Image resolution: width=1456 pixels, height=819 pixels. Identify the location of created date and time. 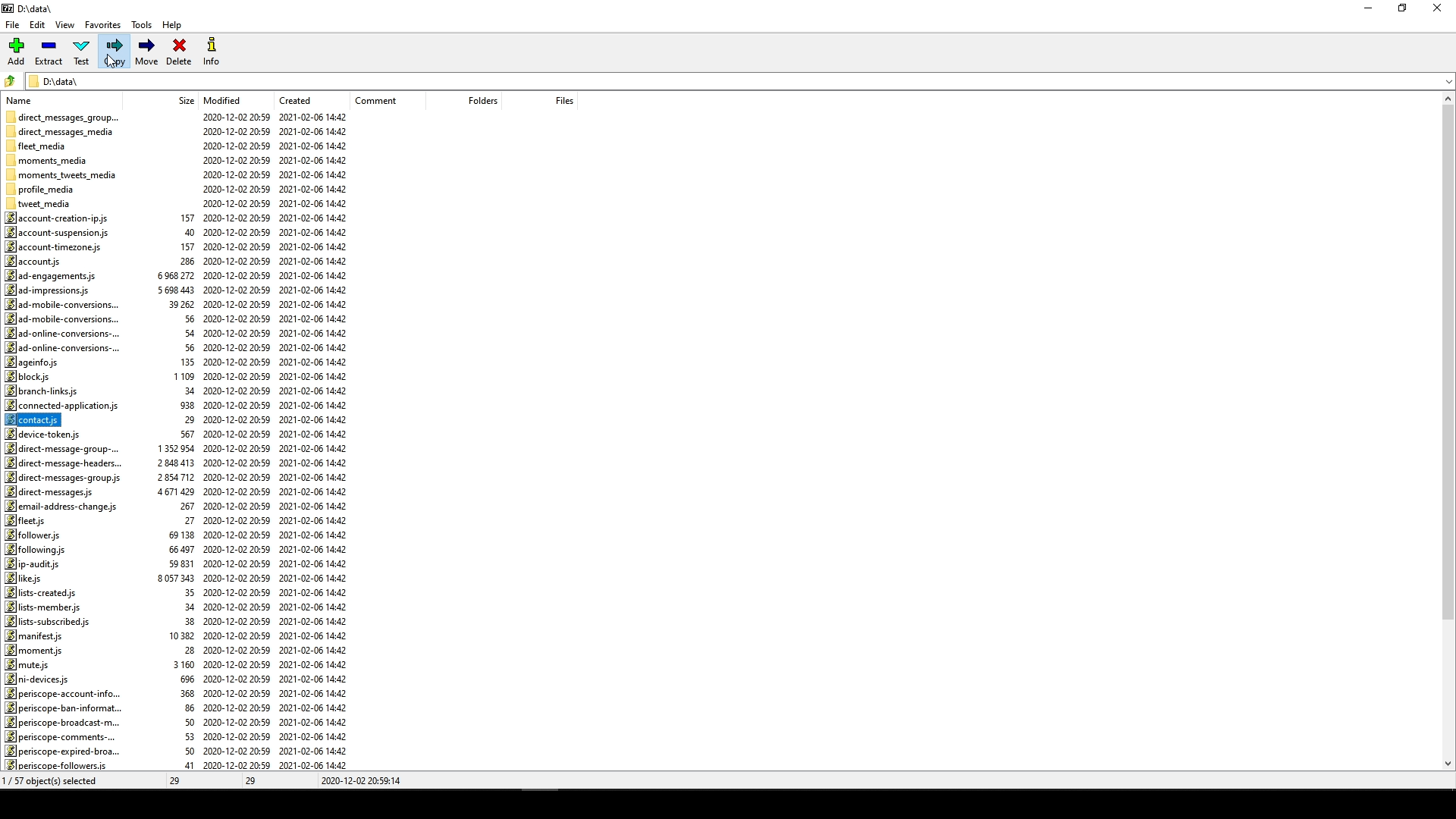
(316, 442).